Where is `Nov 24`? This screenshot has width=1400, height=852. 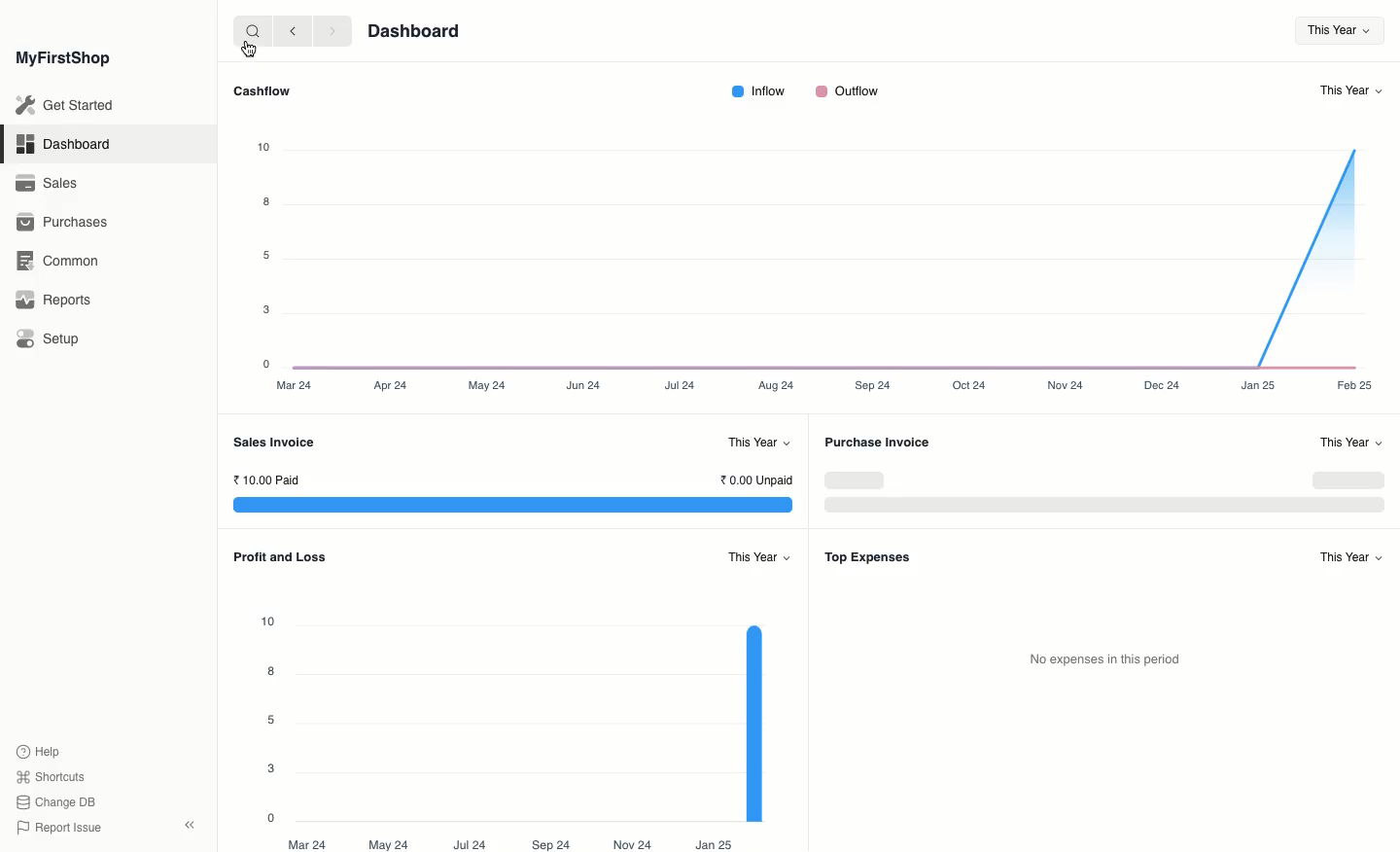 Nov 24 is located at coordinates (631, 843).